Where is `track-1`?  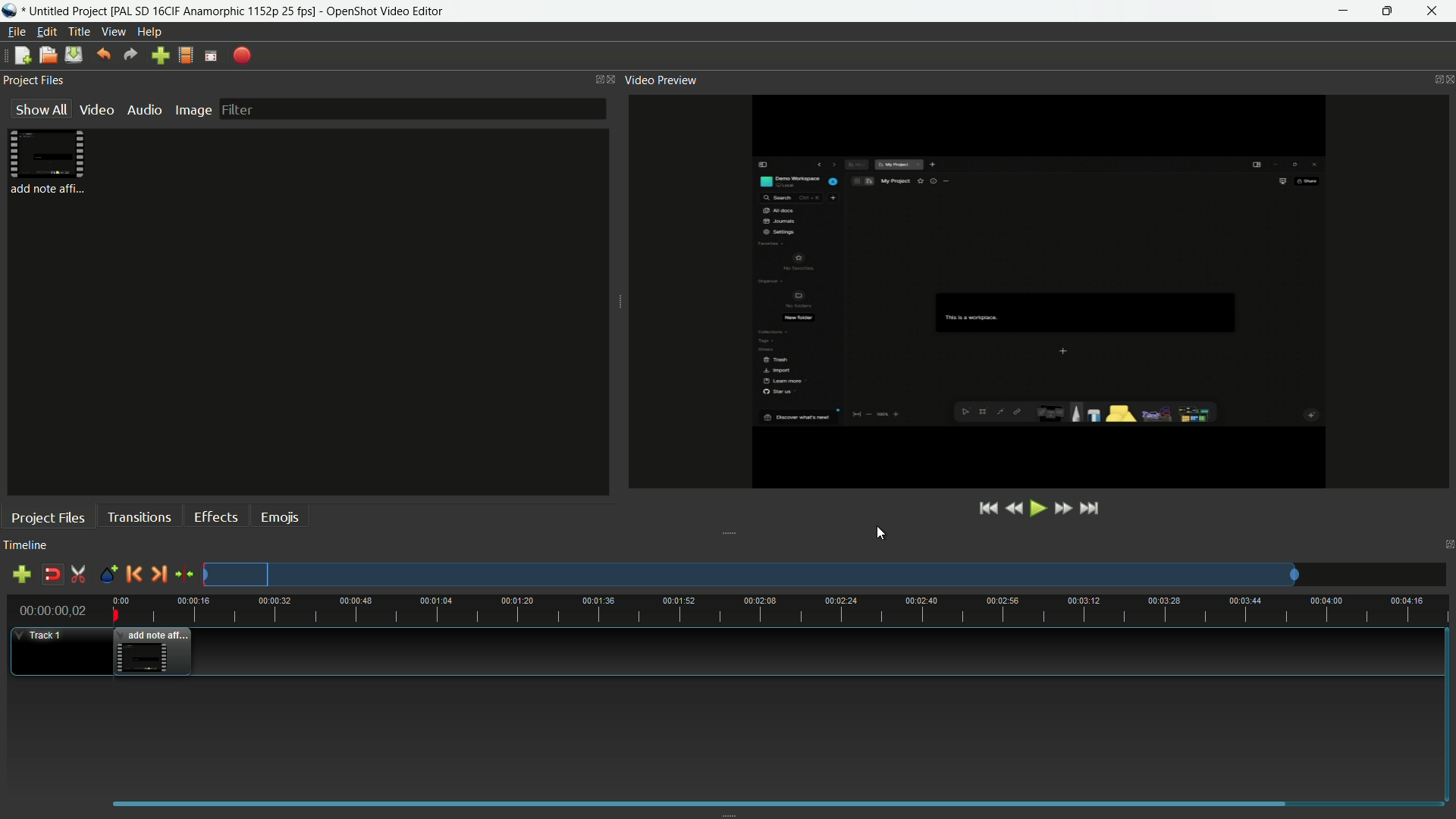
track-1 is located at coordinates (44, 635).